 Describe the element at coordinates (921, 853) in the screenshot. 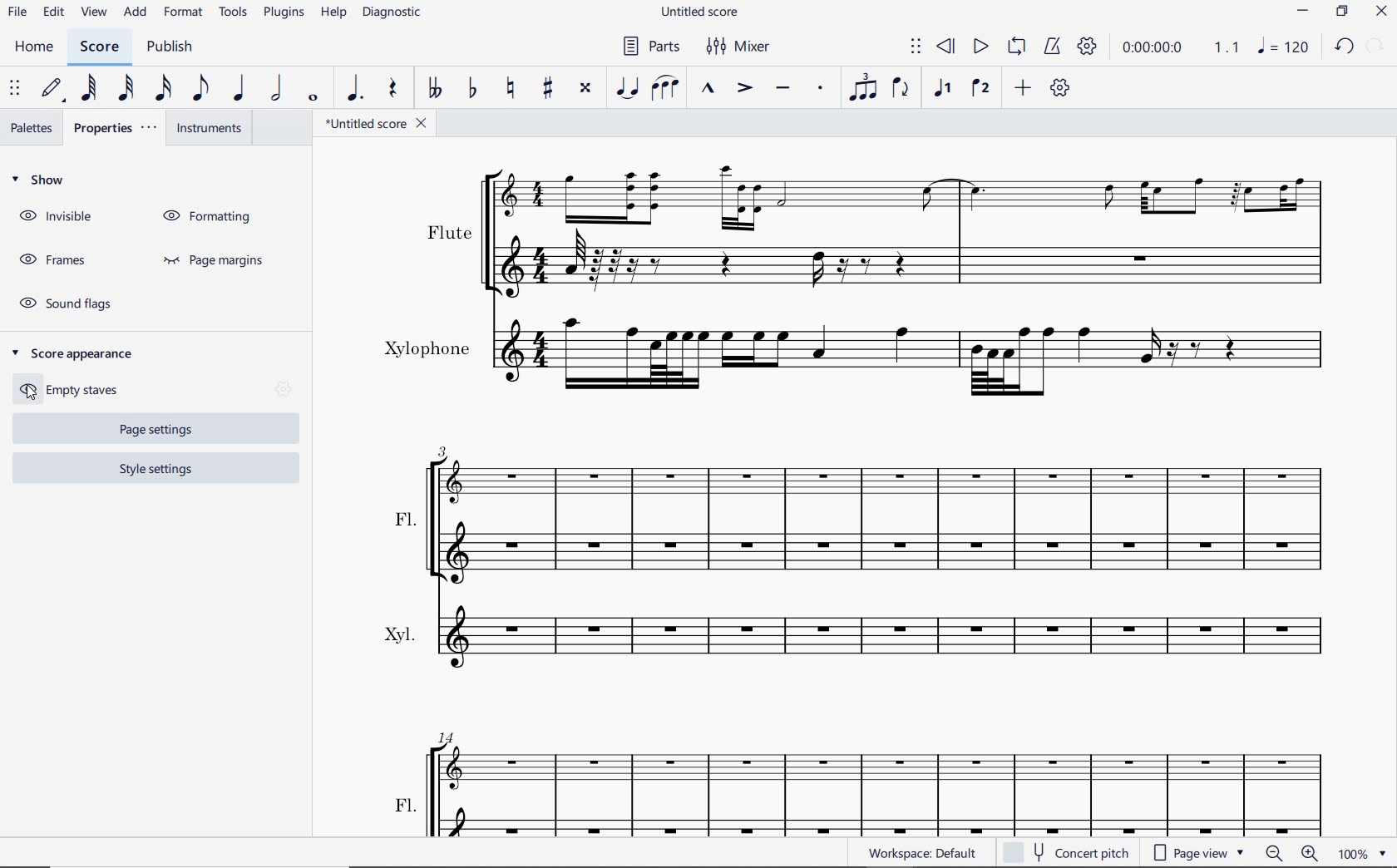

I see `workspace default` at that location.